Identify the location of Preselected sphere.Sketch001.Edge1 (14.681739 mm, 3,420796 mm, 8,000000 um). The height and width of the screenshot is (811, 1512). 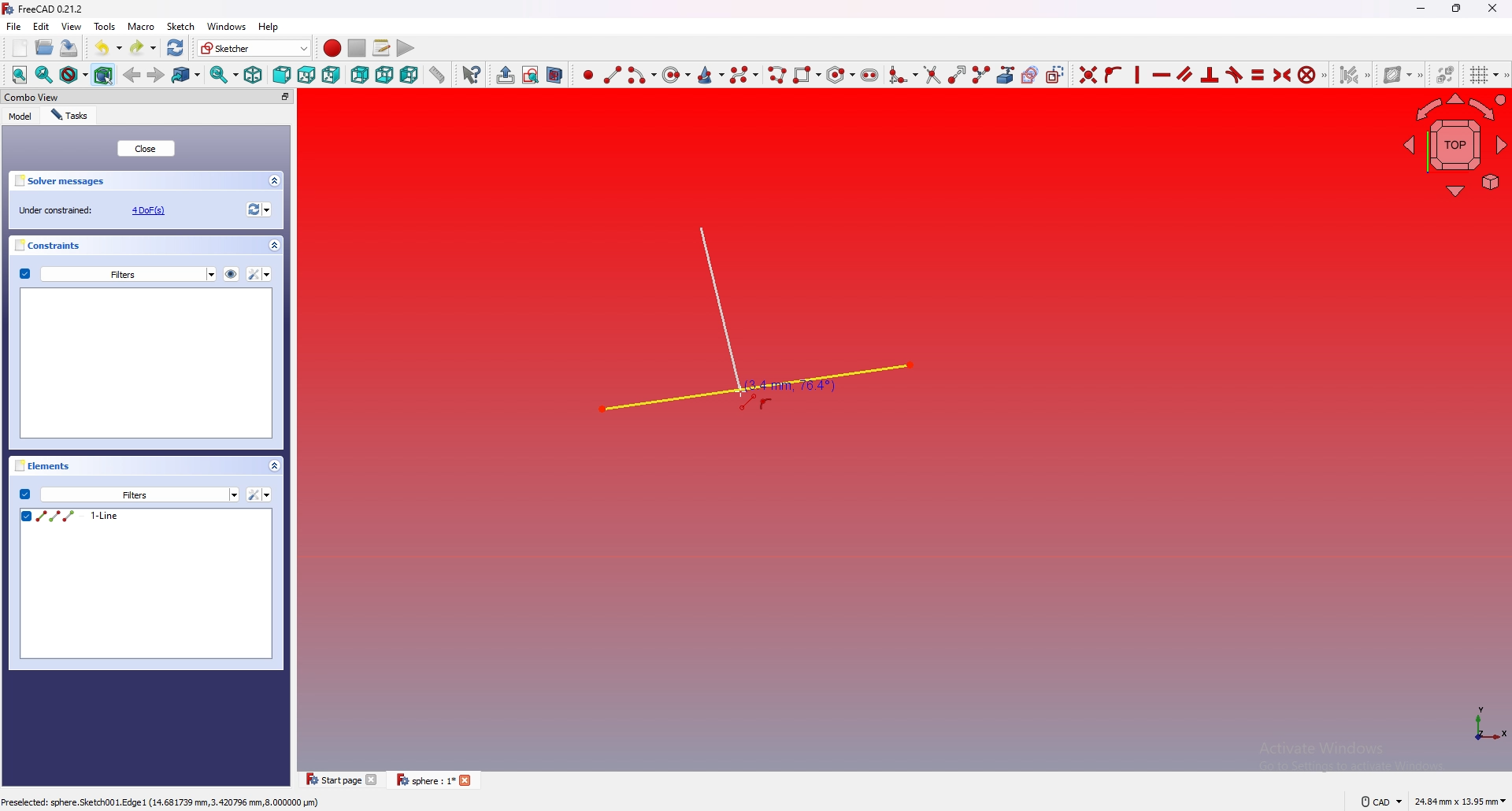
(162, 804).